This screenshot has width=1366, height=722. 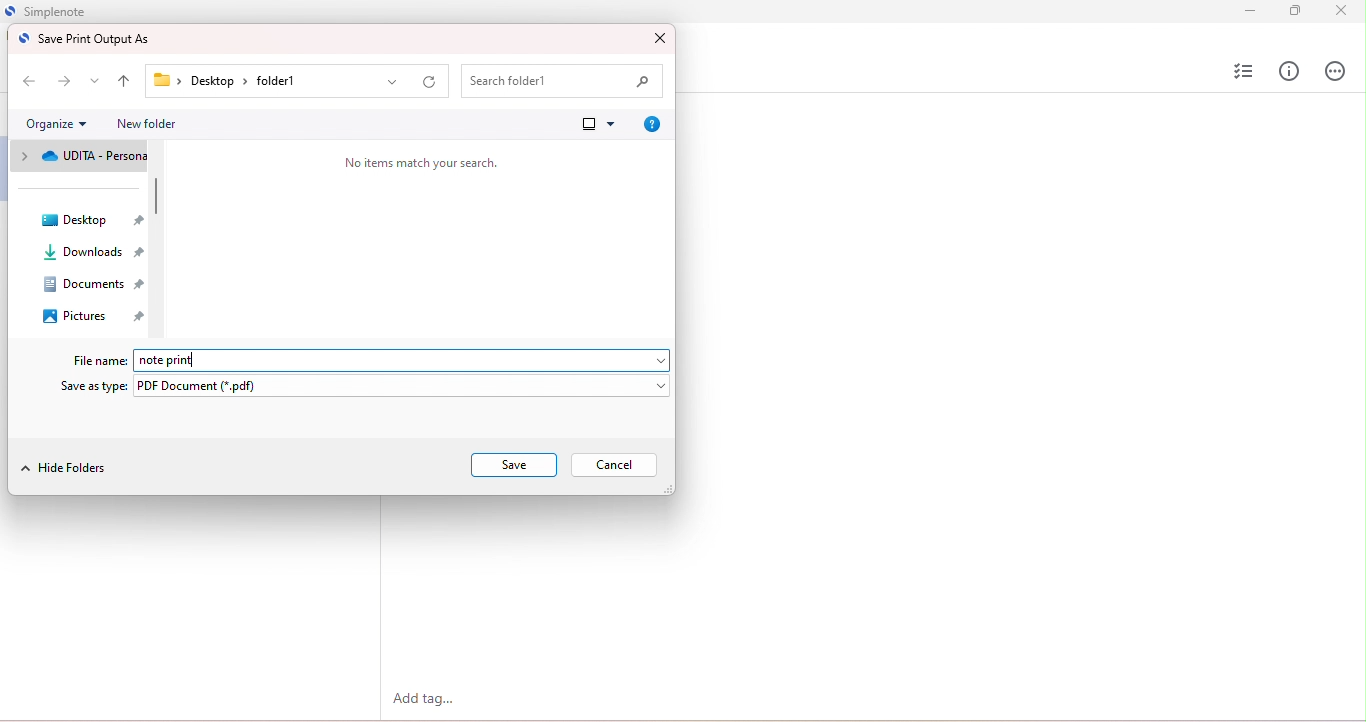 What do you see at coordinates (429, 83) in the screenshot?
I see `refresh` at bounding box center [429, 83].